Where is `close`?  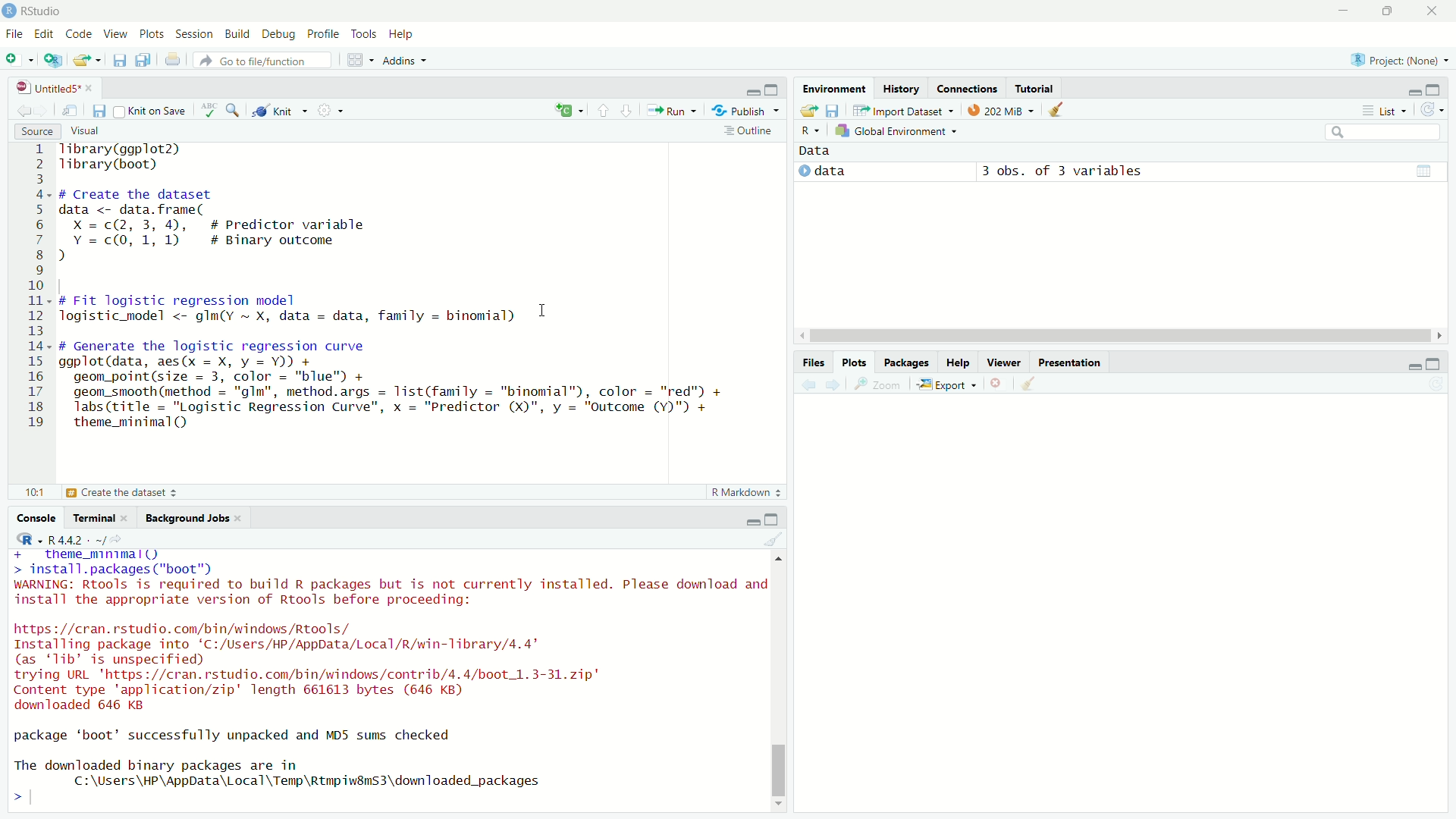 close is located at coordinates (1431, 11).